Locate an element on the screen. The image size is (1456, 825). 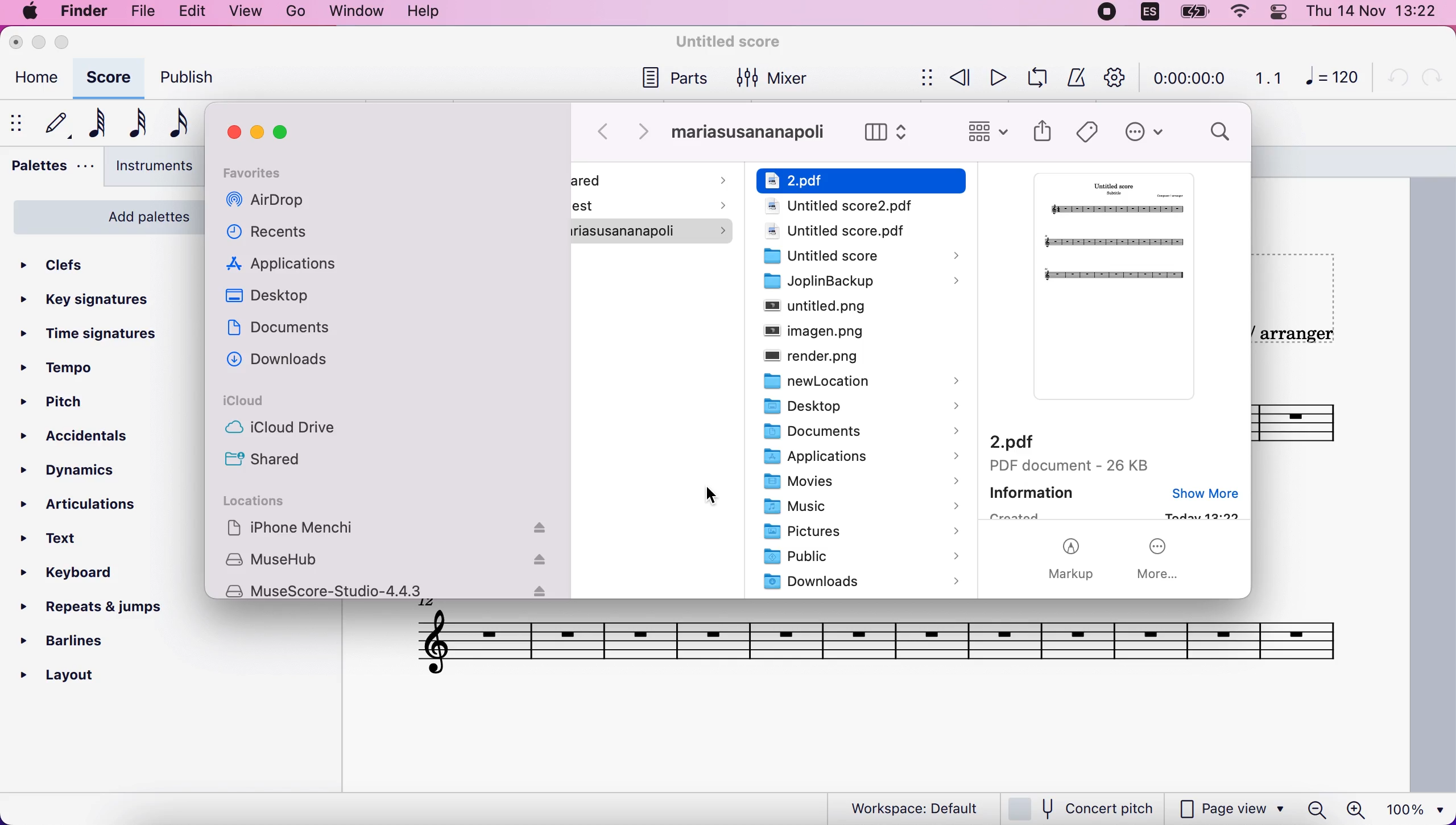
panel control is located at coordinates (1280, 14).